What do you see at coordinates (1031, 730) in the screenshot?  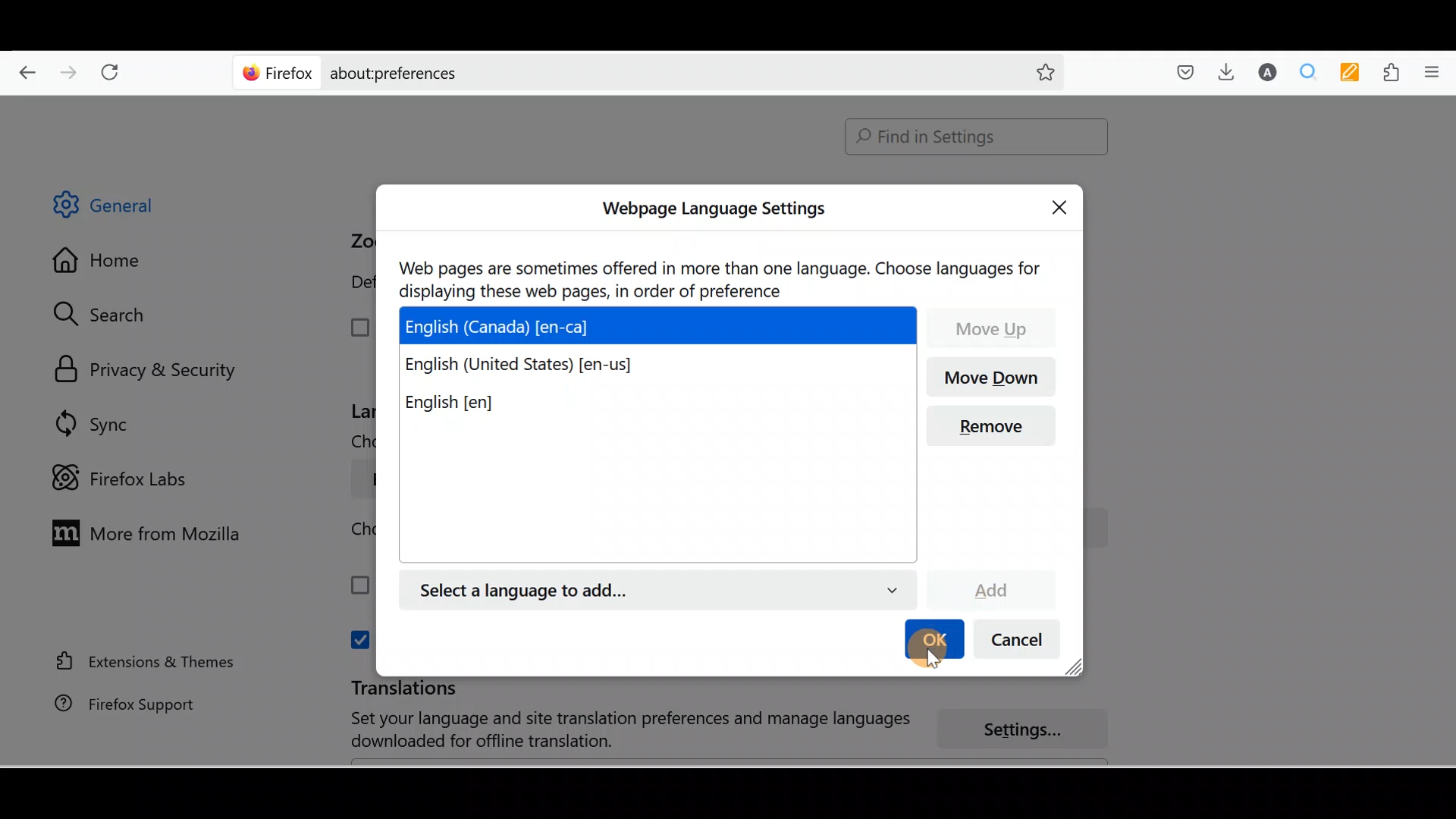 I see `Settings` at bounding box center [1031, 730].